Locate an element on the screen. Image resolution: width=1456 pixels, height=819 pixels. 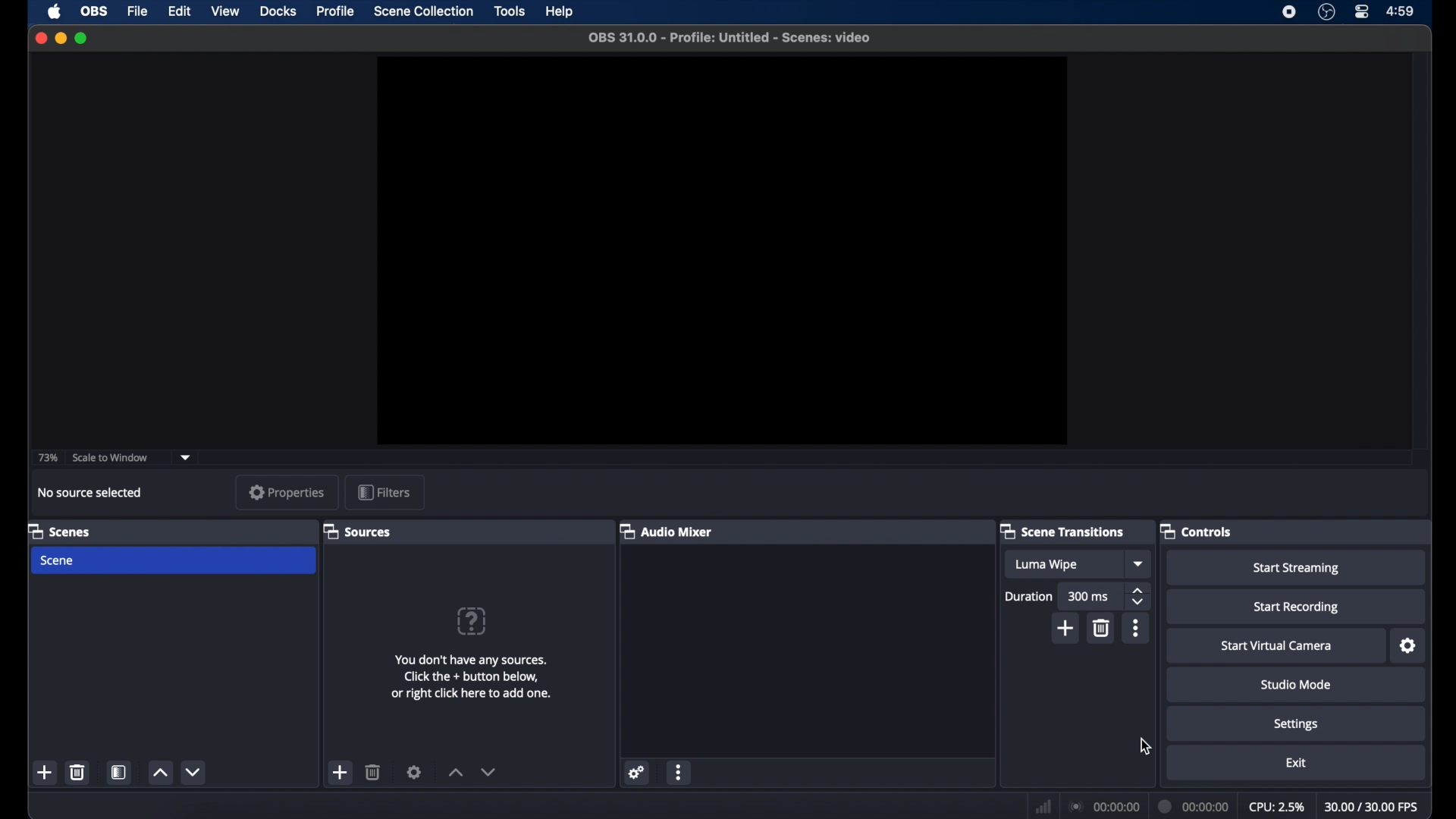
00:00:00 is located at coordinates (1104, 806).